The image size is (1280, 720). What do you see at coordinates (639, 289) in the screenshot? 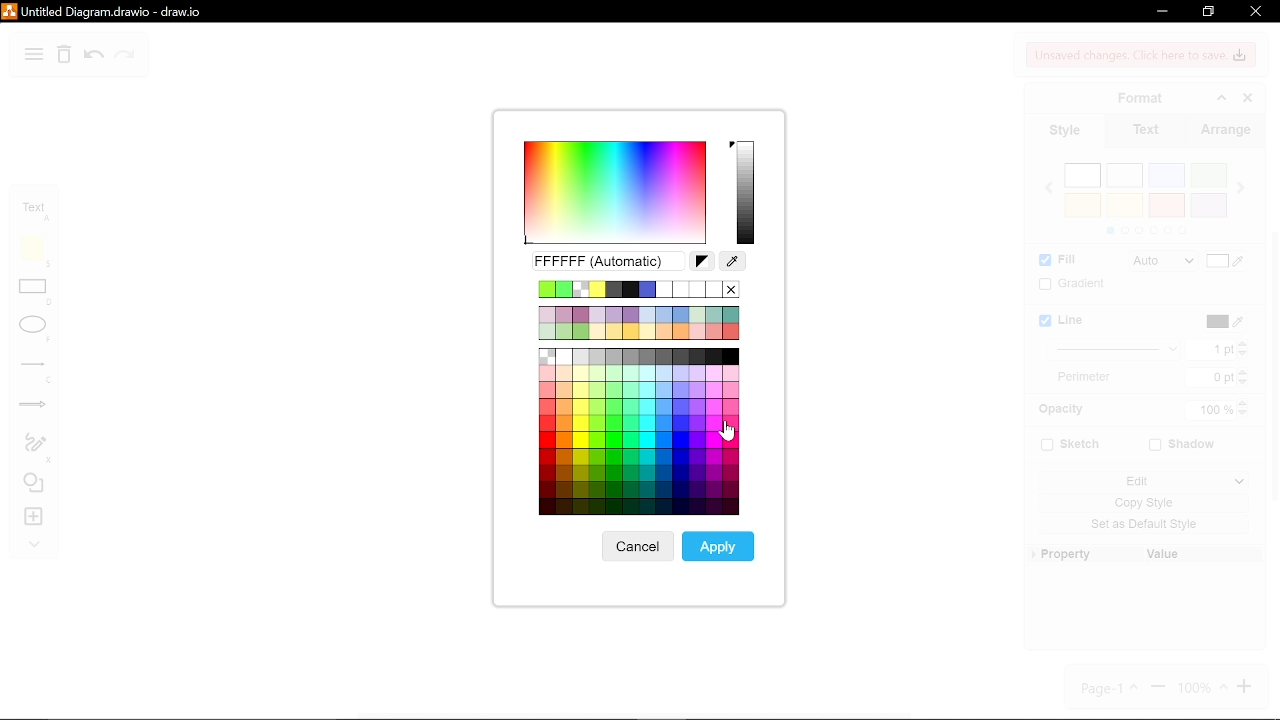
I see `current colors` at bounding box center [639, 289].